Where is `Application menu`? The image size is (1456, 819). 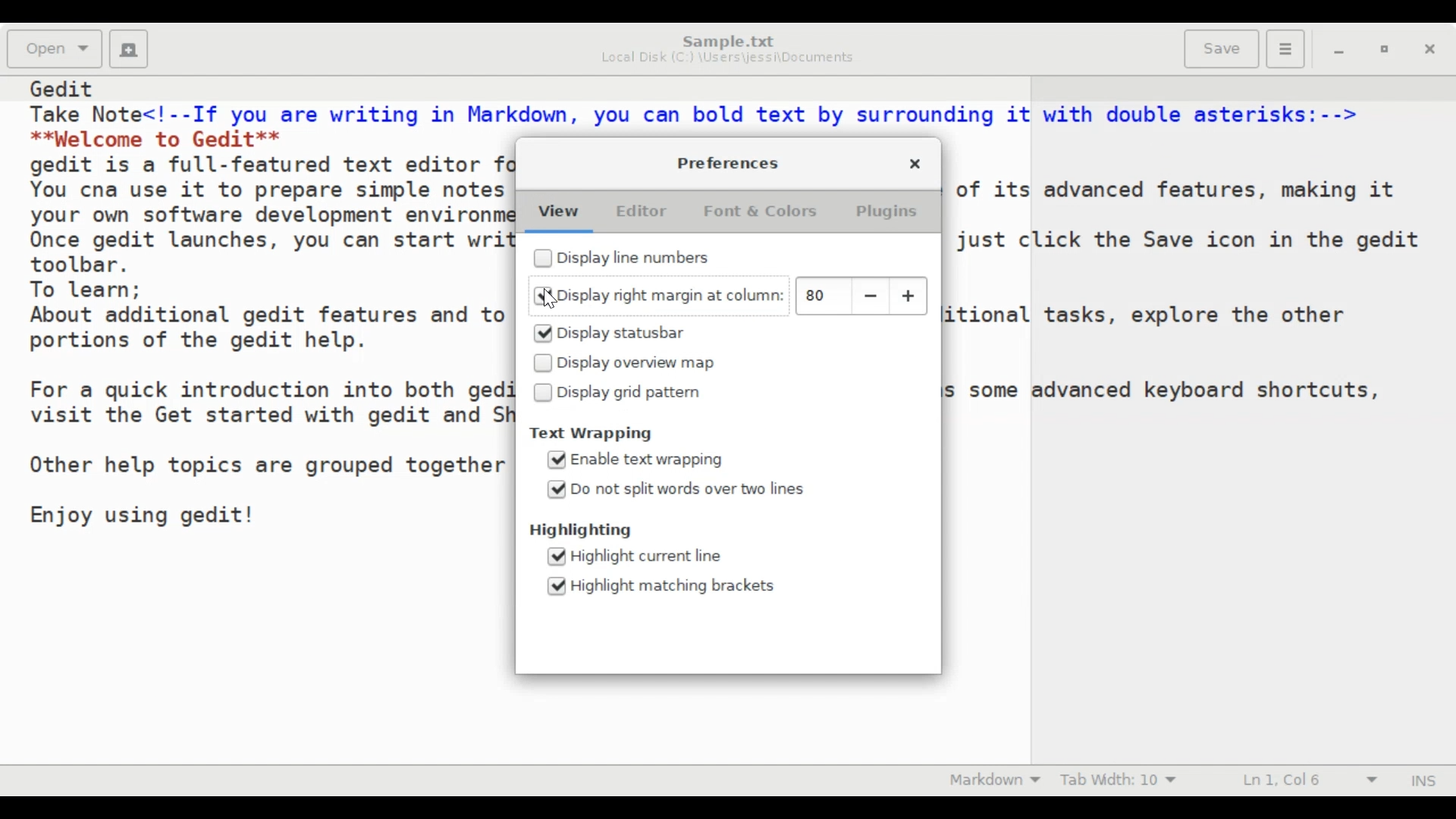
Application menu is located at coordinates (1287, 49).